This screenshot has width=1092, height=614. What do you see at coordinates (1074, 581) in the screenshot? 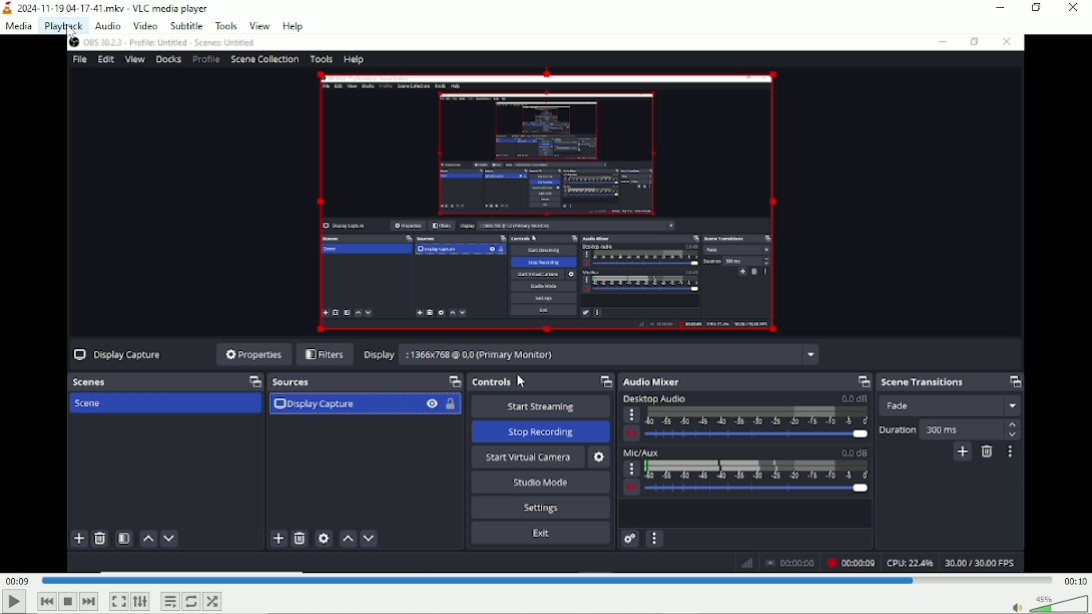
I see `00:10` at bounding box center [1074, 581].